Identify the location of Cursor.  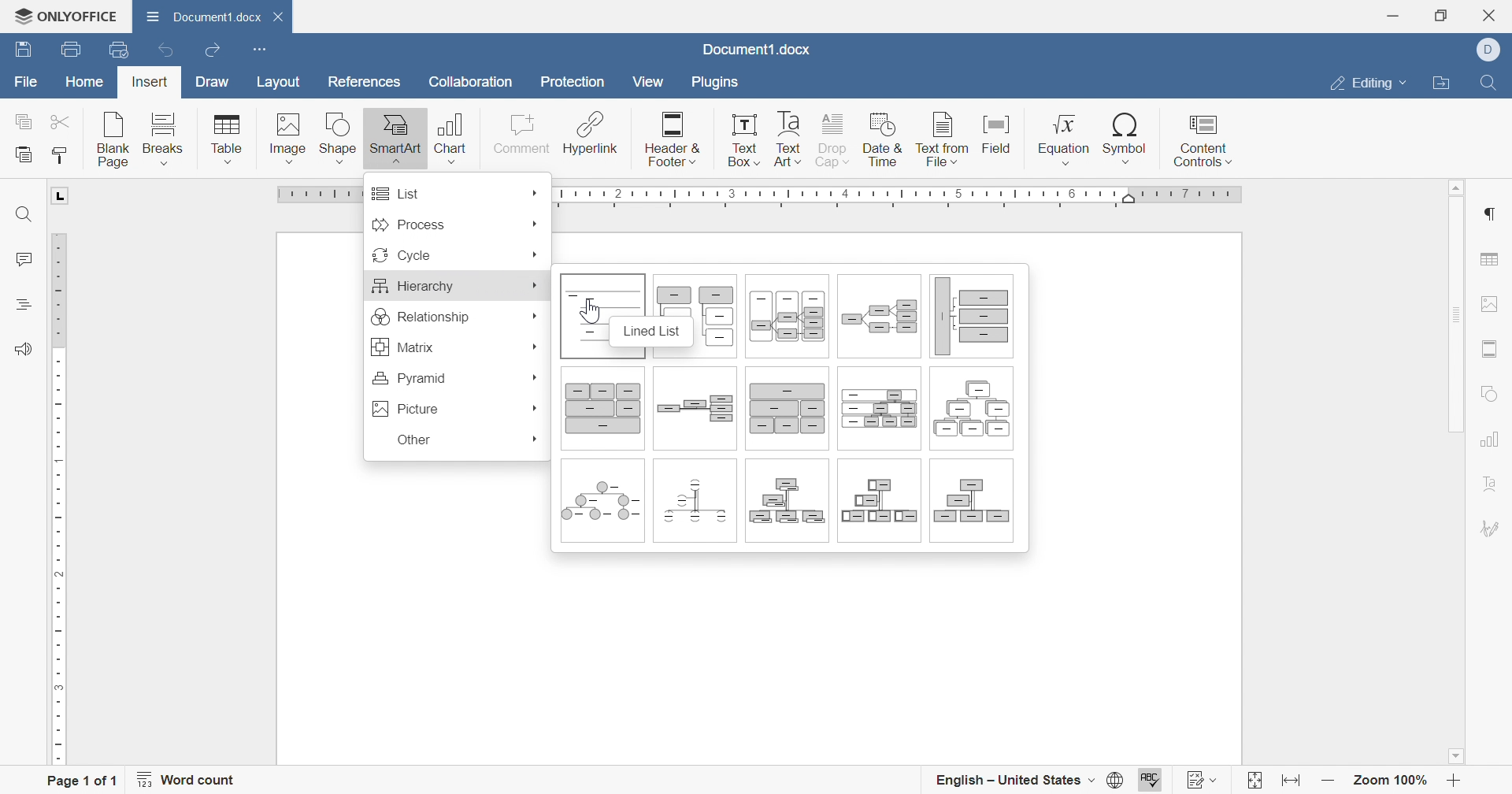
(590, 314).